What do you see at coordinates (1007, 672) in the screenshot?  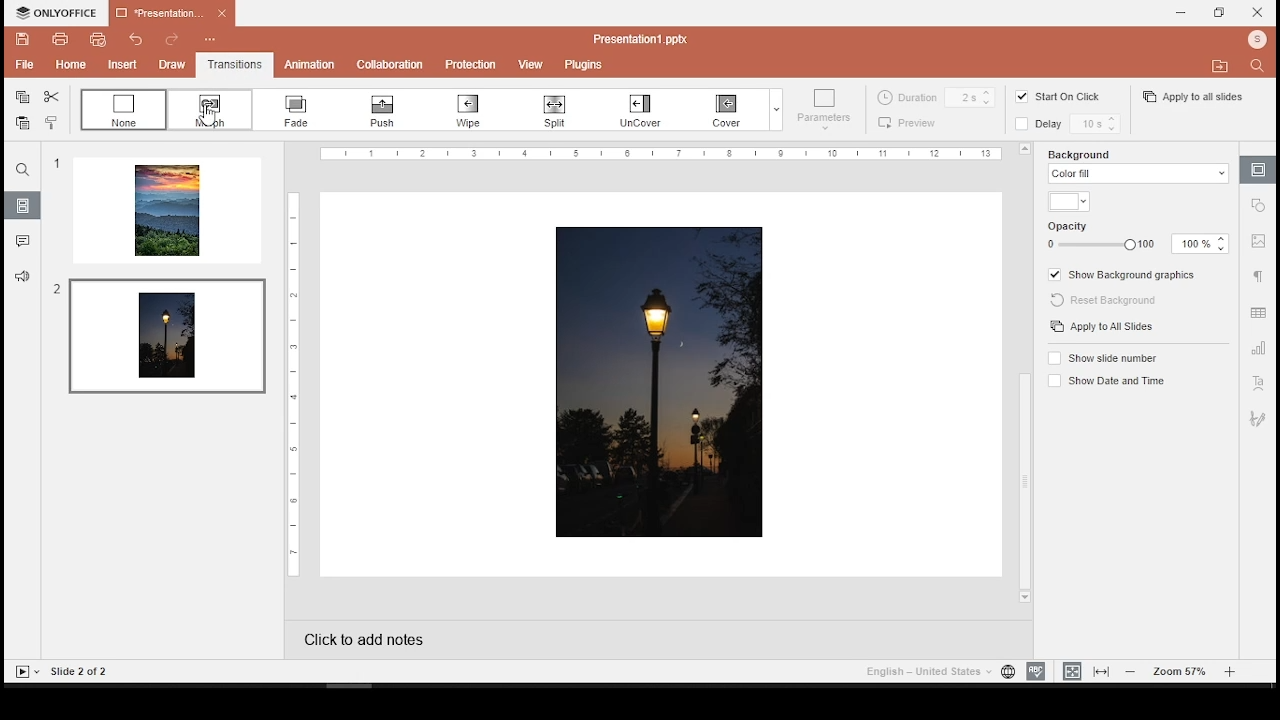 I see `language` at bounding box center [1007, 672].